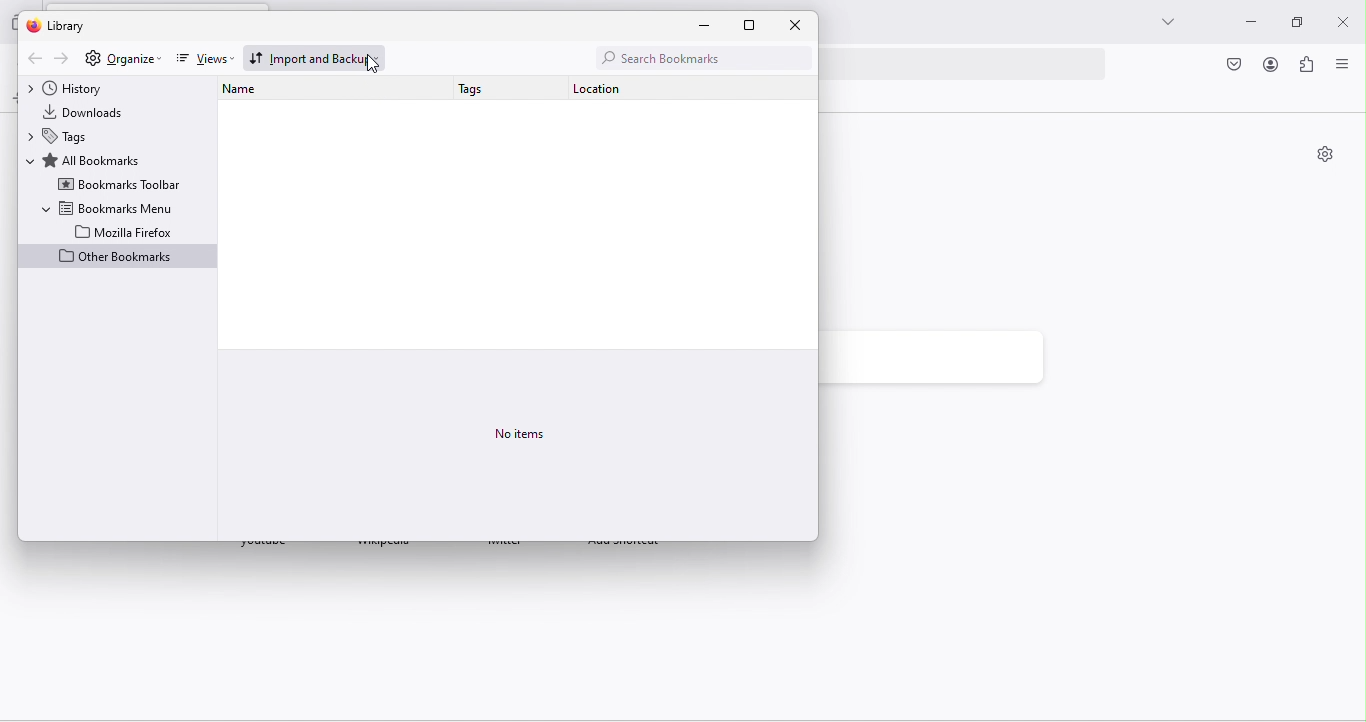 Image resolution: width=1366 pixels, height=722 pixels. Describe the element at coordinates (134, 58) in the screenshot. I see `organize` at that location.